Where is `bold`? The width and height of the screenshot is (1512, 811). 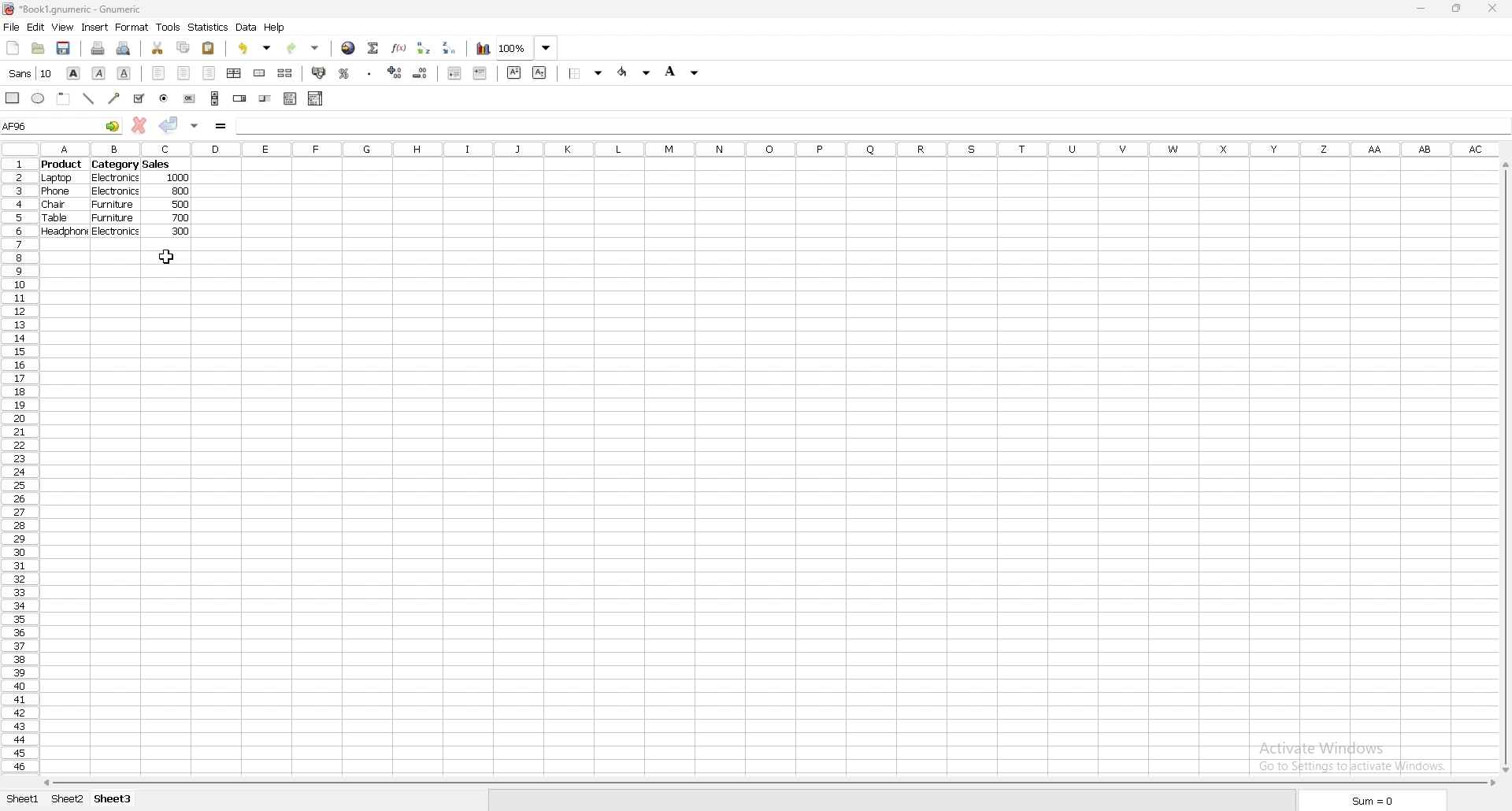 bold is located at coordinates (76, 73).